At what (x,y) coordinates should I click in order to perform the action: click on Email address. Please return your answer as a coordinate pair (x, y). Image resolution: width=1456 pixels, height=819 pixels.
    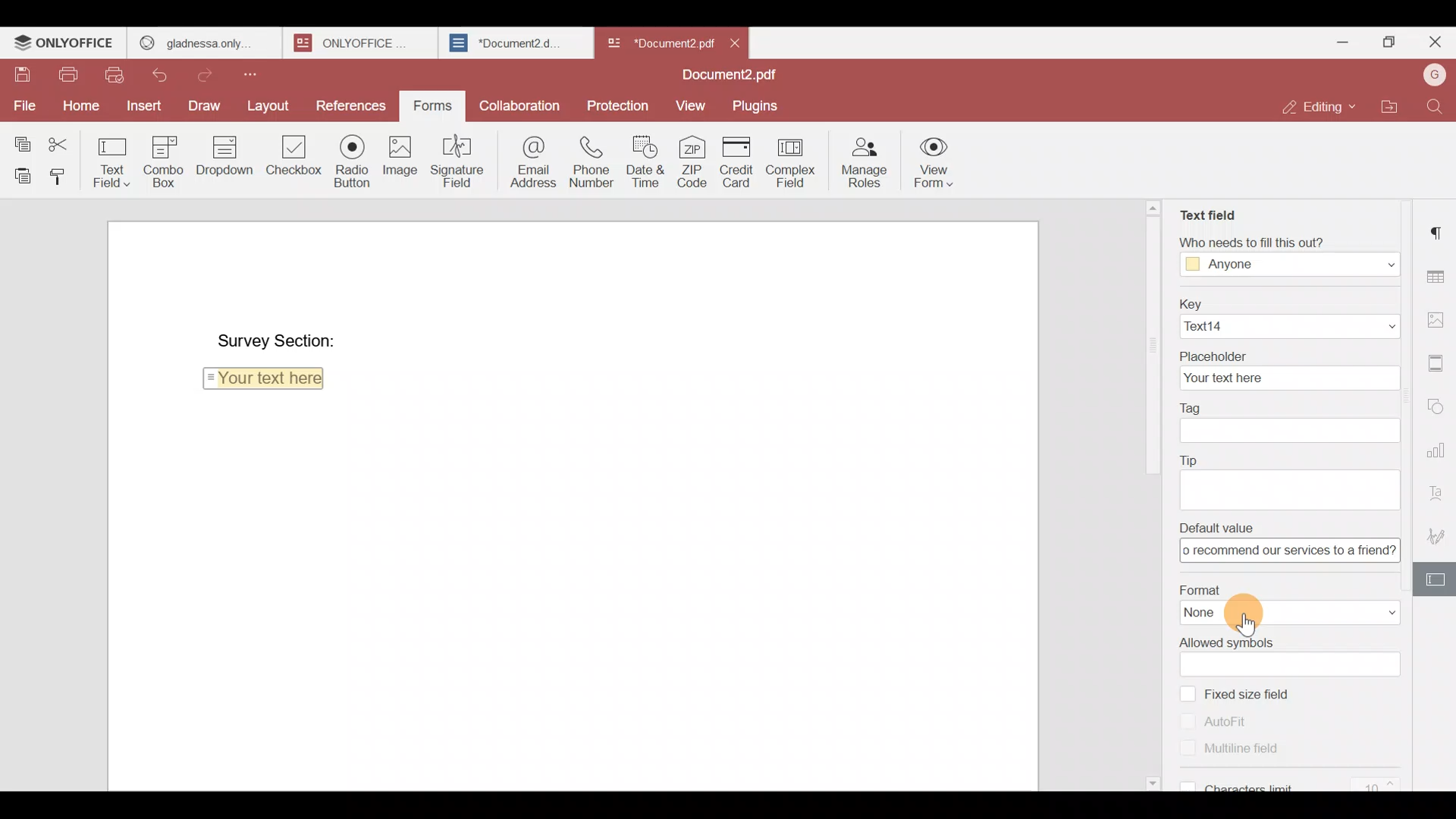
    Looking at the image, I should click on (531, 160).